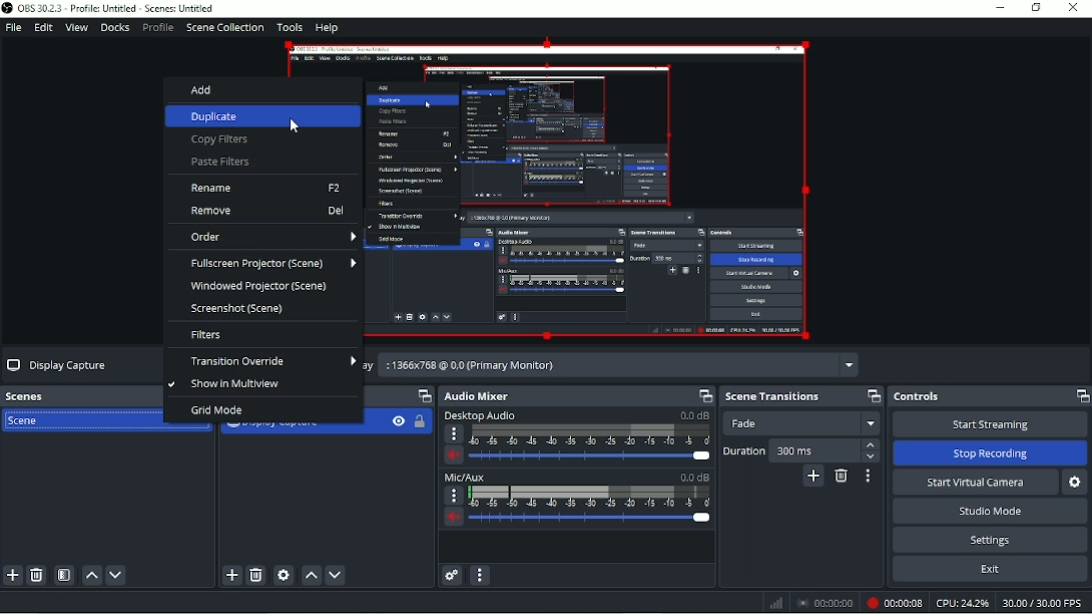 This screenshot has height=614, width=1092. I want to click on Video, so click(588, 192).